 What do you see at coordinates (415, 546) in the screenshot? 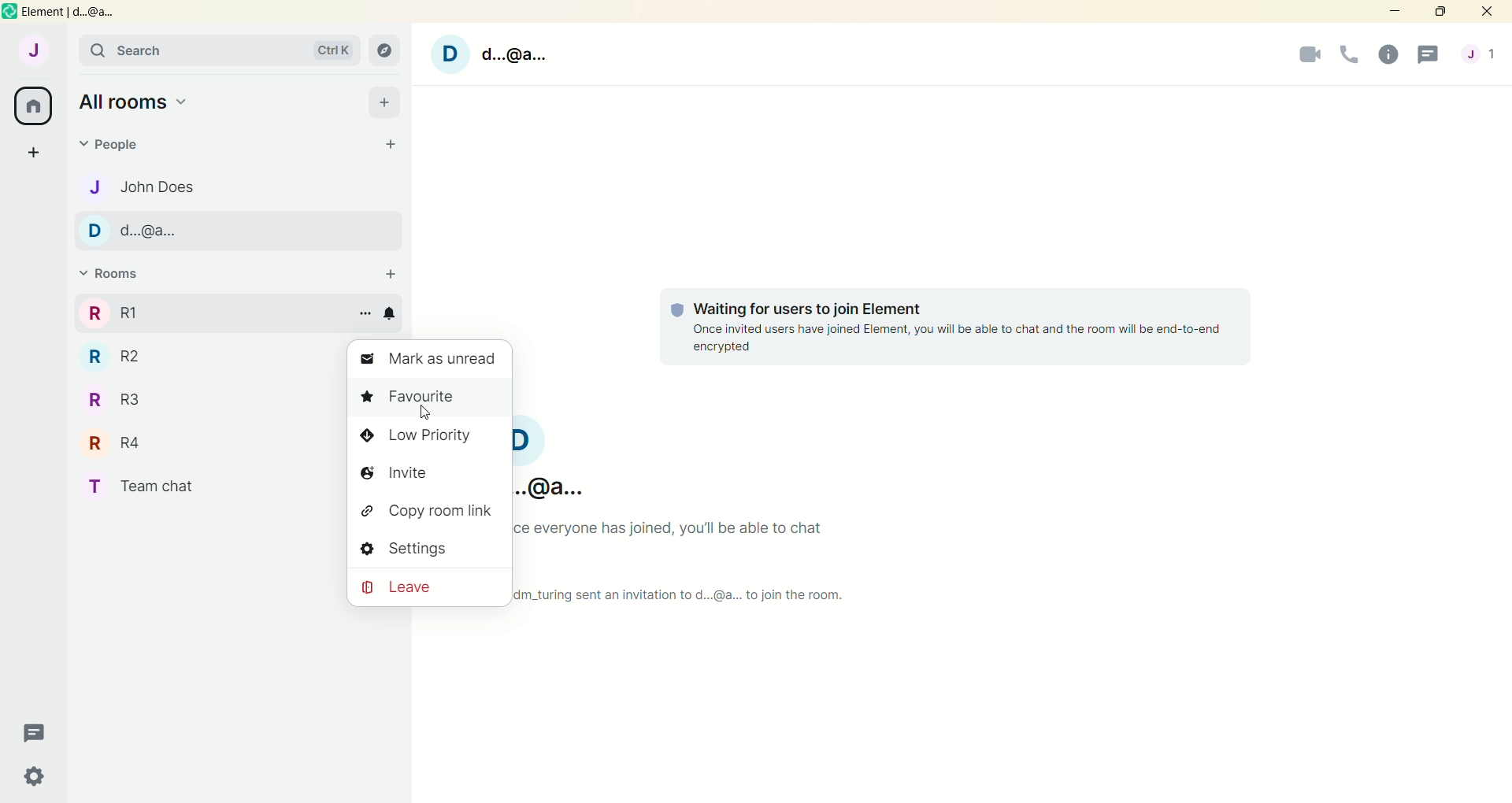
I see `Settings` at bounding box center [415, 546].